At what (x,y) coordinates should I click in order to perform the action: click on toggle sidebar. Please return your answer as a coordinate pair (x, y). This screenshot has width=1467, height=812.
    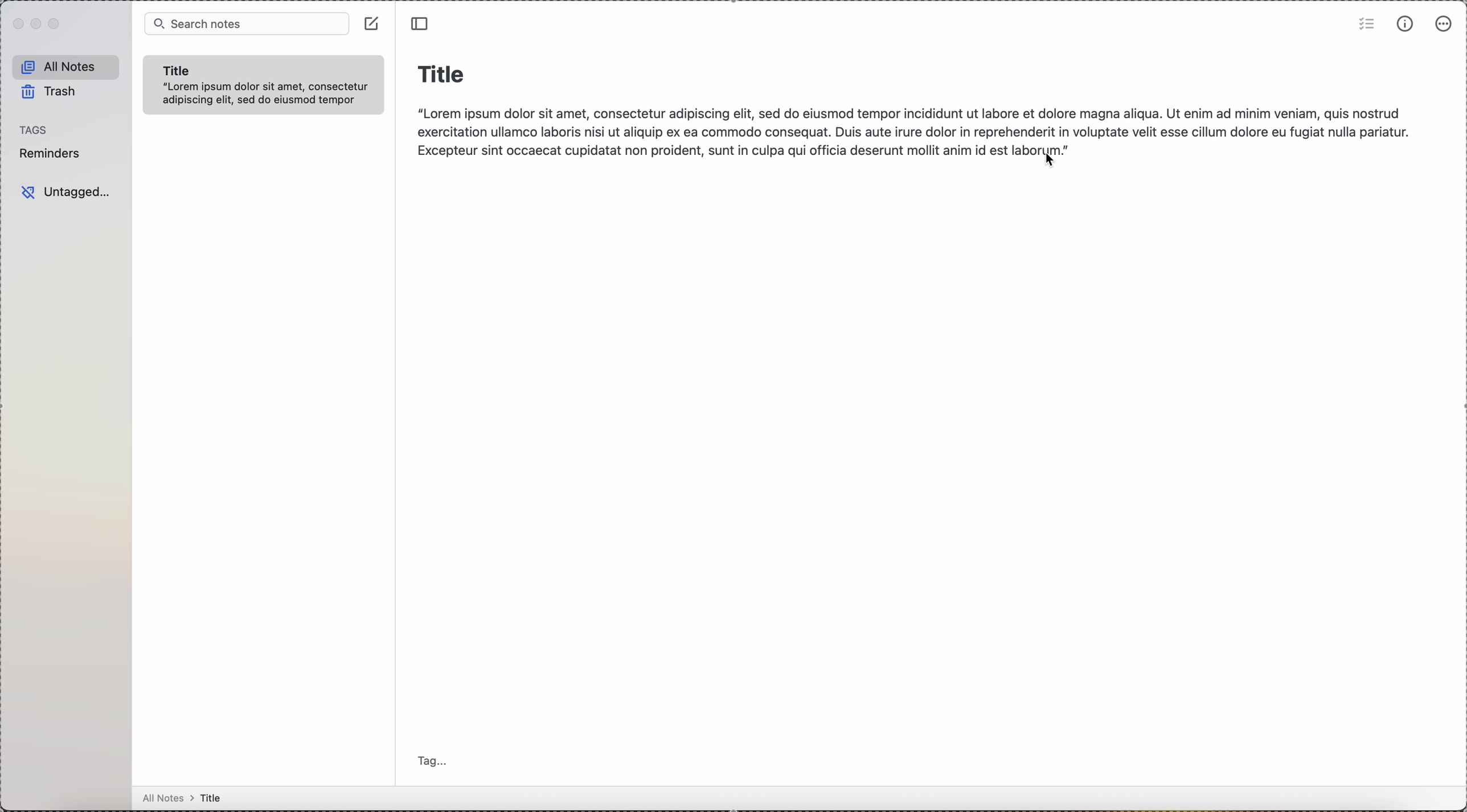
    Looking at the image, I should click on (423, 23).